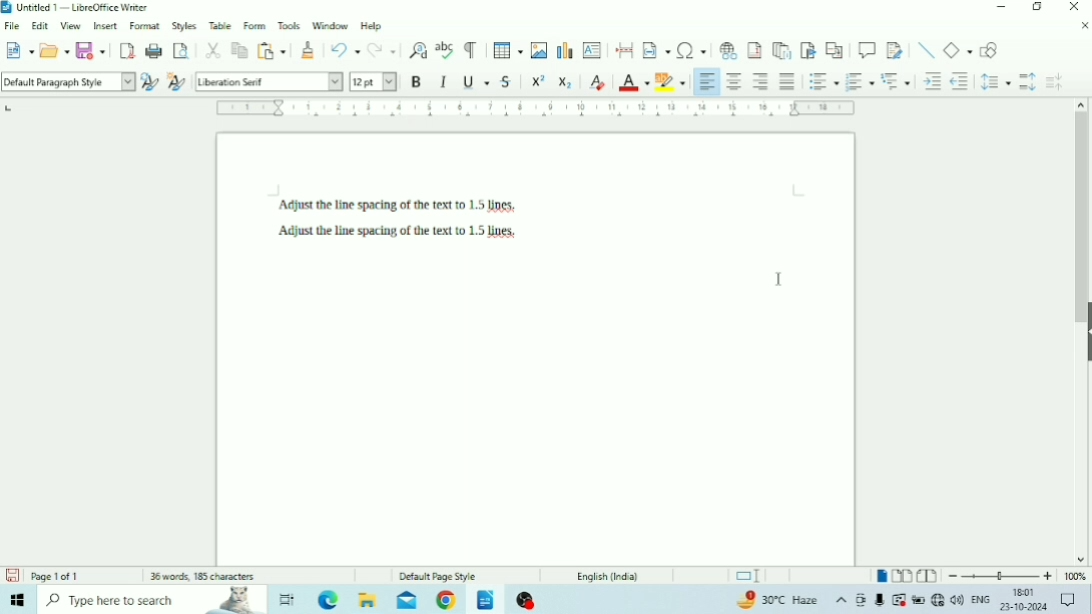 This screenshot has width=1092, height=614. What do you see at coordinates (566, 82) in the screenshot?
I see `Subscript` at bounding box center [566, 82].